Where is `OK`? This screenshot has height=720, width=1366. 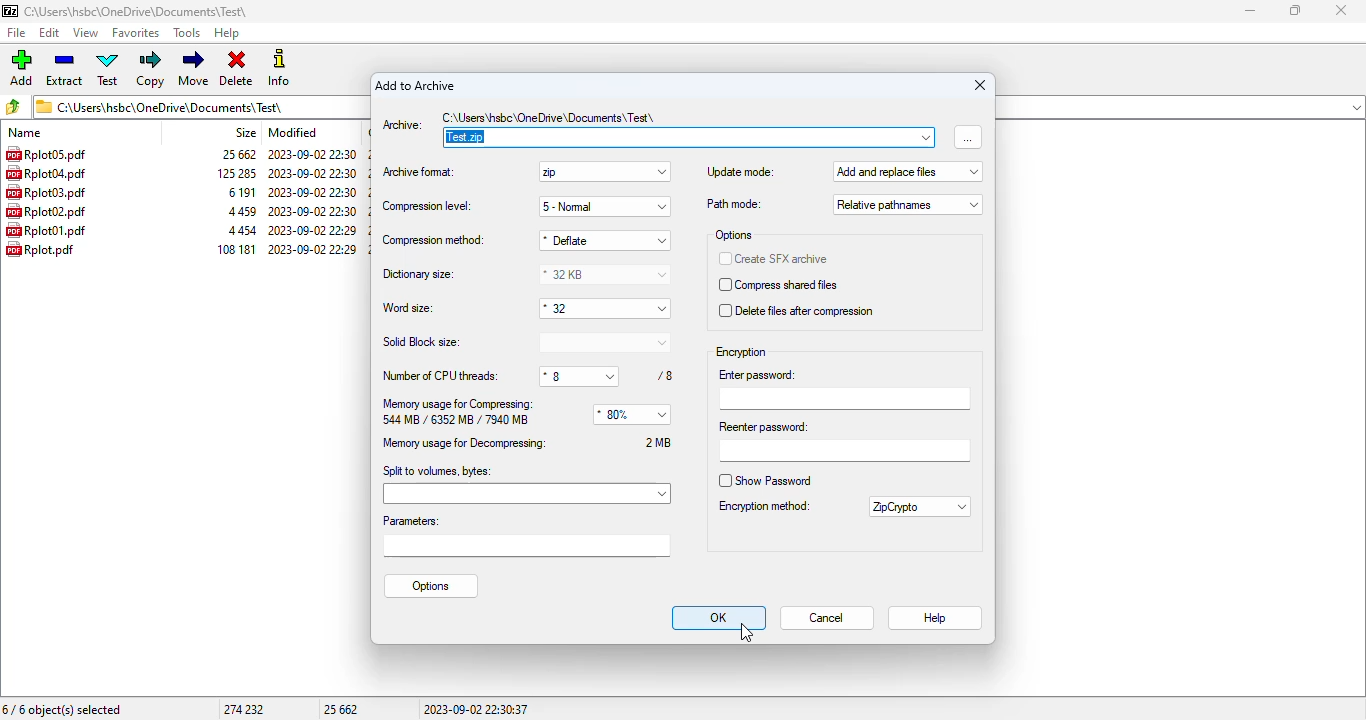
OK is located at coordinates (719, 618).